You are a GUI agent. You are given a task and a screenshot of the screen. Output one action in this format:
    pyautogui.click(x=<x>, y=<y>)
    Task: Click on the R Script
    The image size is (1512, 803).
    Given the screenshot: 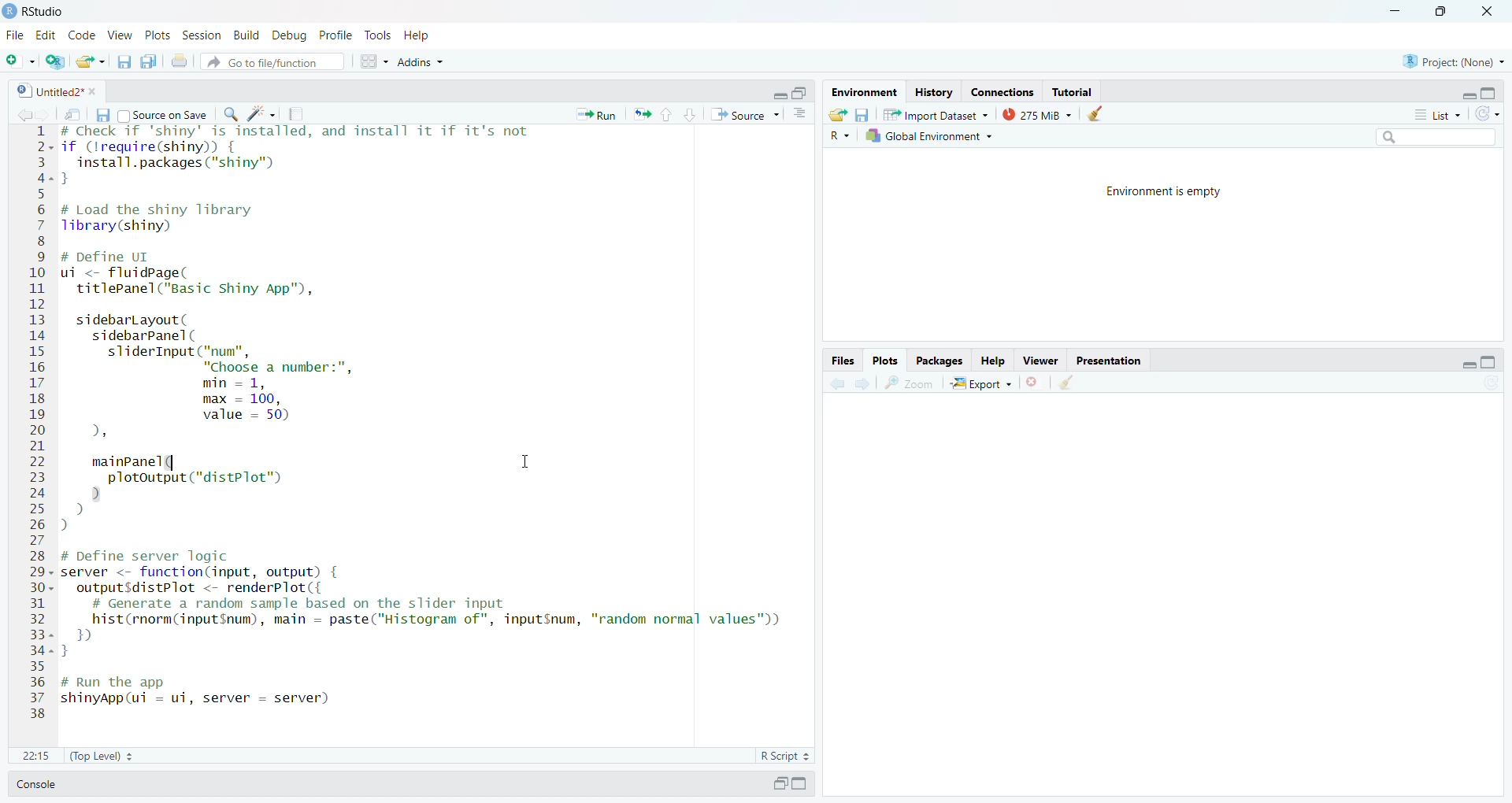 What is the action you would take?
    pyautogui.click(x=784, y=756)
    